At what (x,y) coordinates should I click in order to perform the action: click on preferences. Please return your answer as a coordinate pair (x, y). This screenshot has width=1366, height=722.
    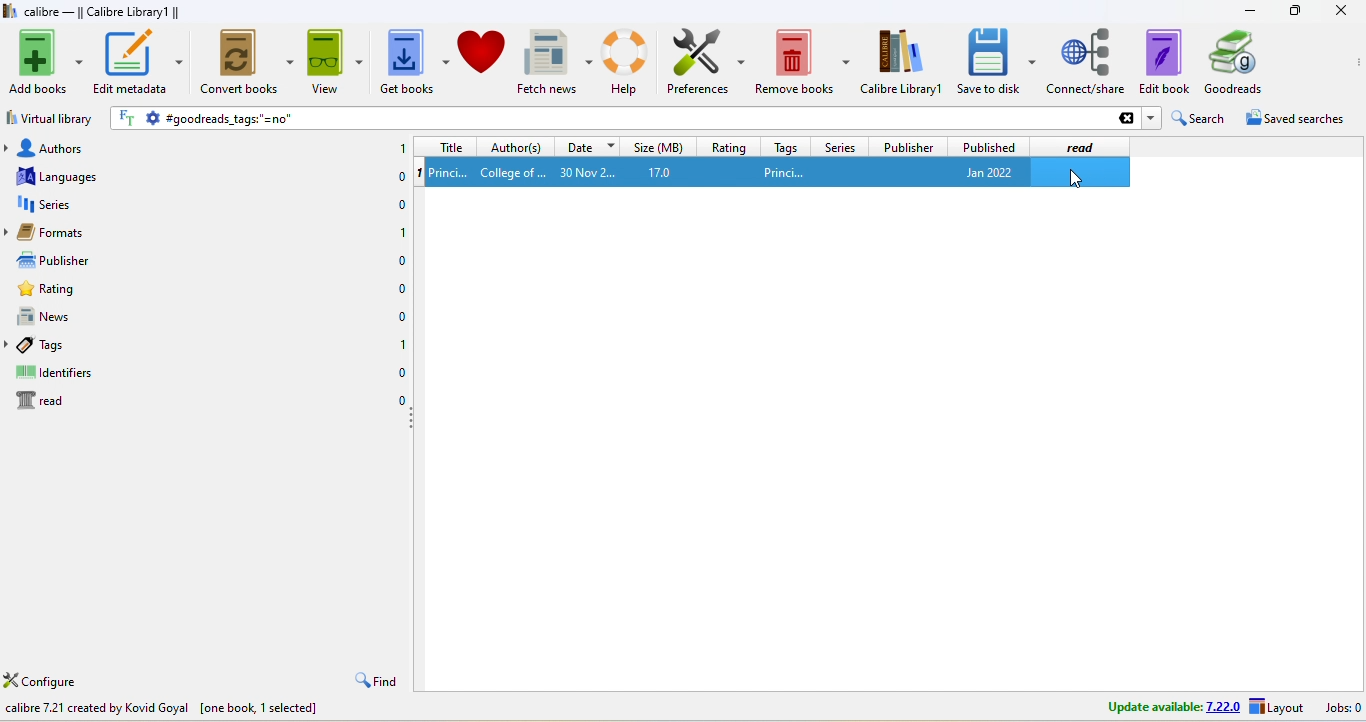
    Looking at the image, I should click on (706, 62).